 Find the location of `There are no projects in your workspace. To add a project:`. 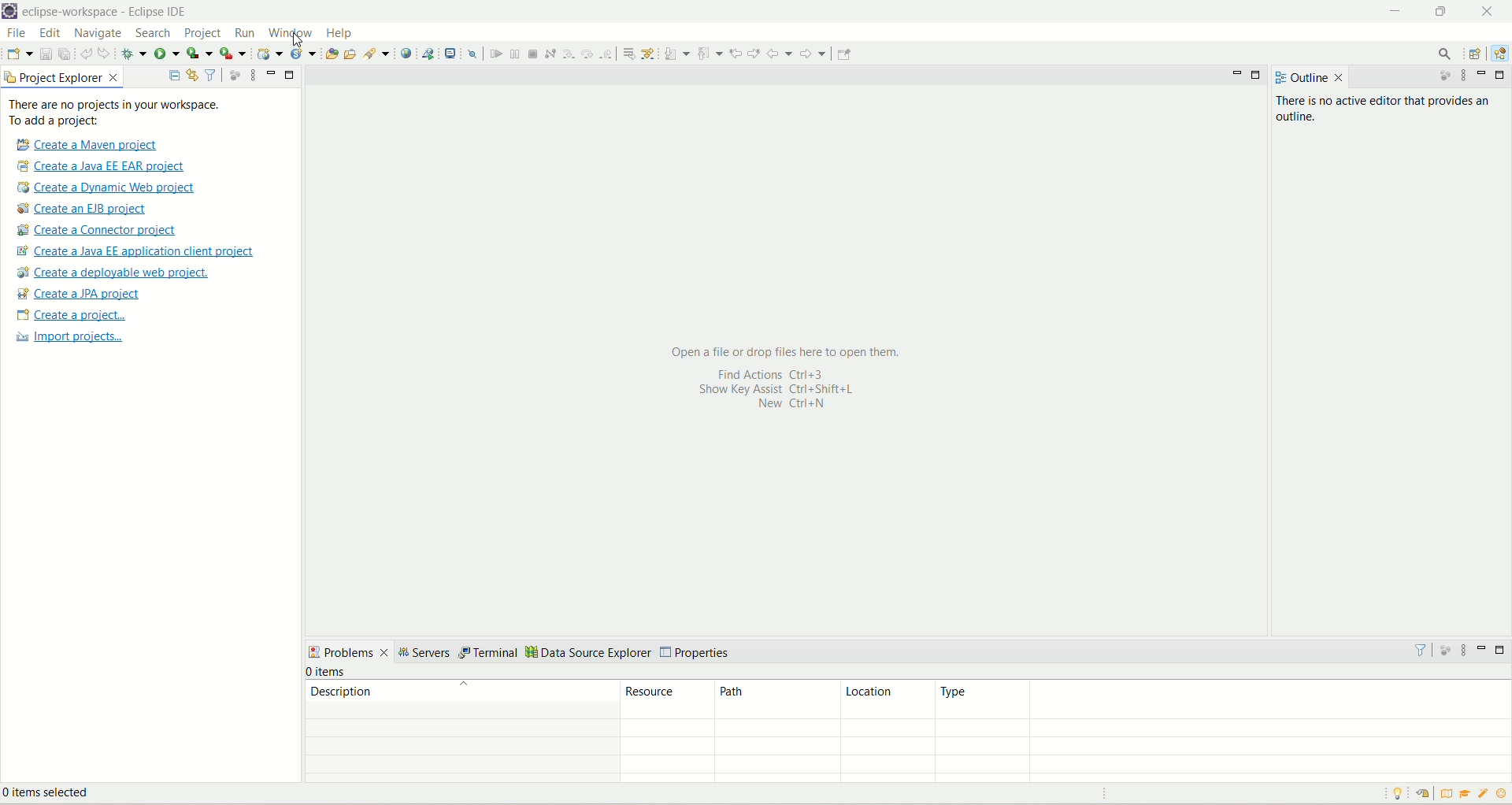

There are no projects in your workspace. To add a project: is located at coordinates (115, 113).